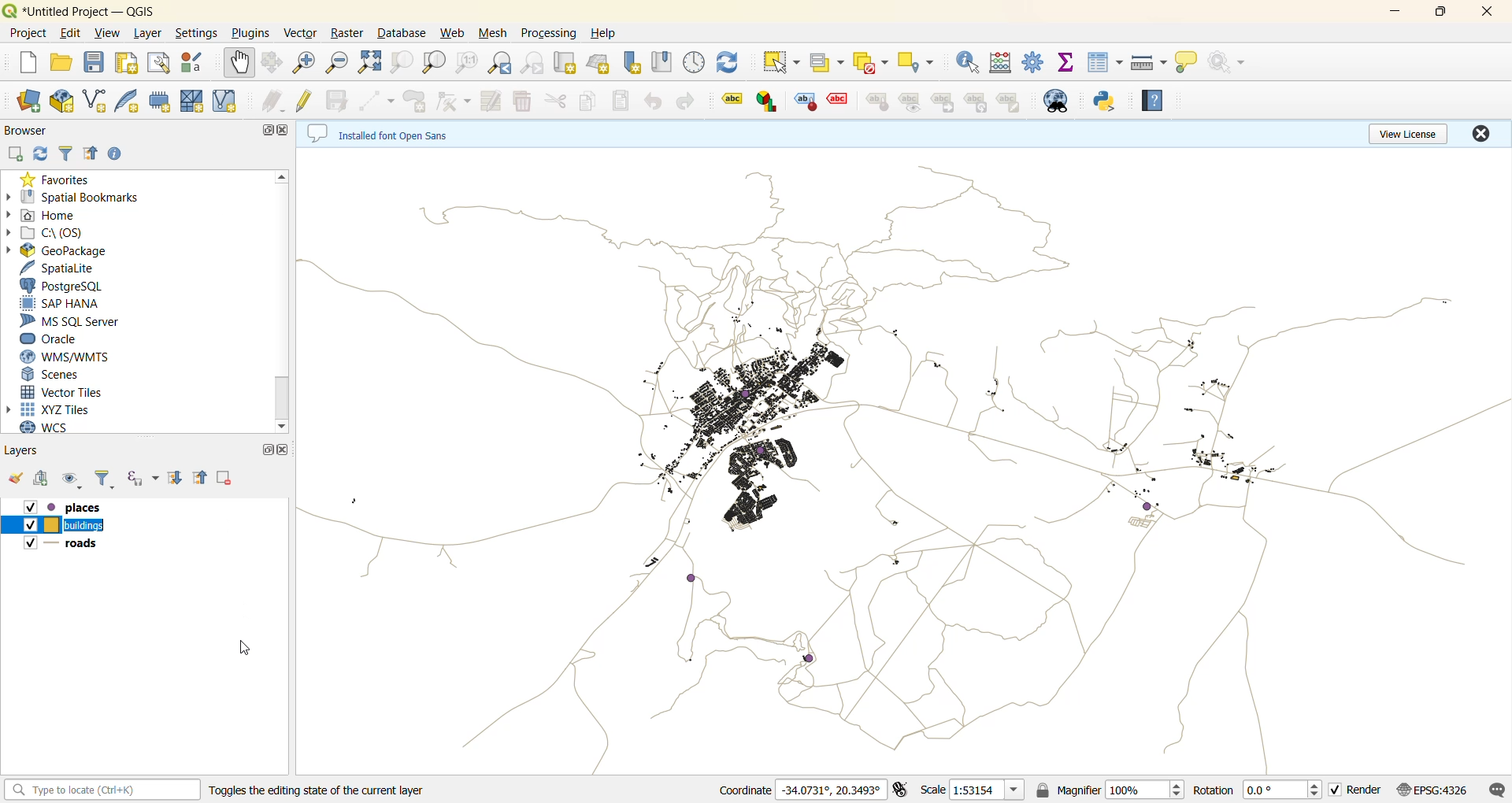  I want to click on statistical summary, so click(1068, 65).